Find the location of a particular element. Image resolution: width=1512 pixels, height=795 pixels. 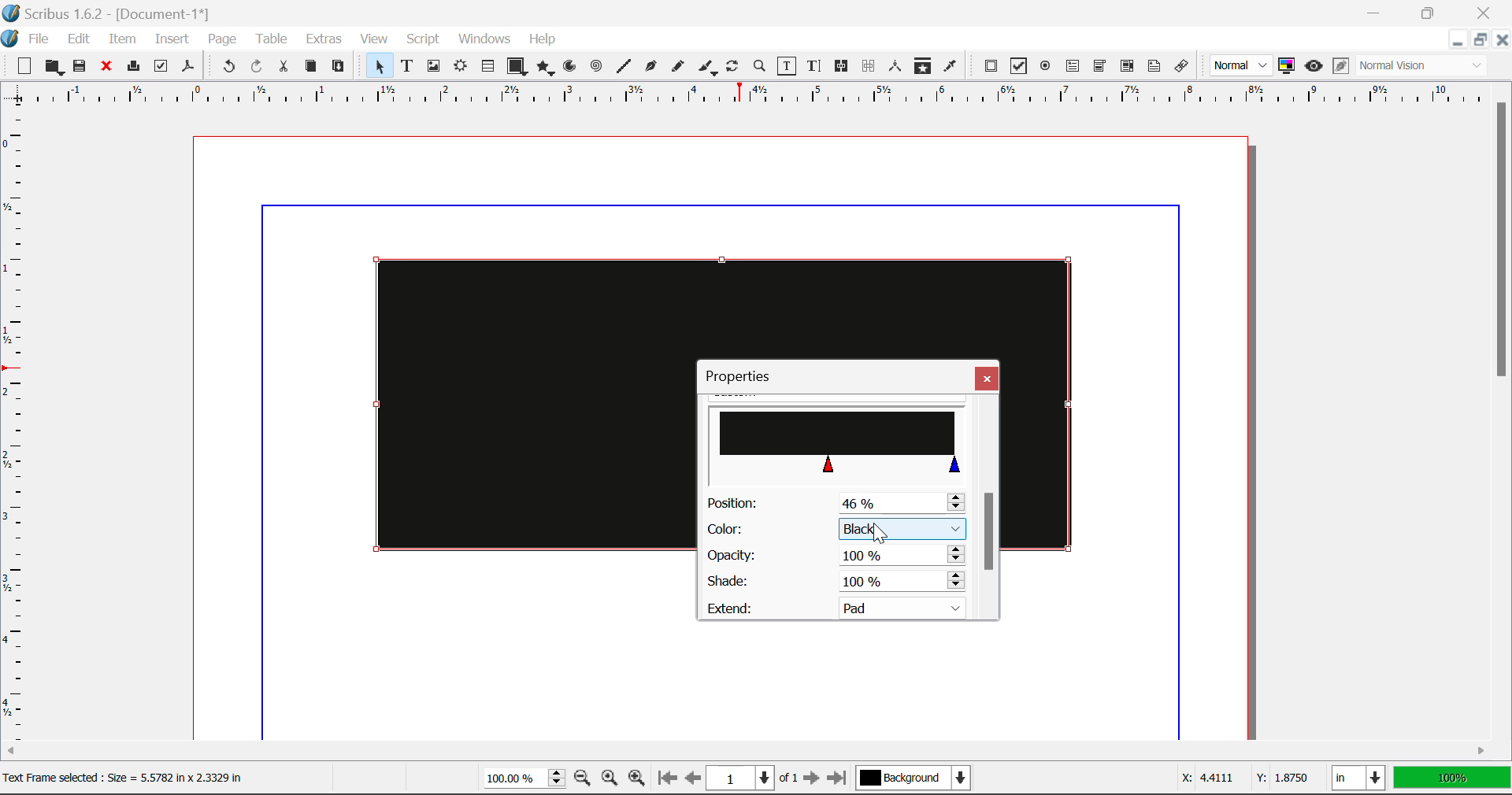

Freehand is located at coordinates (679, 70).